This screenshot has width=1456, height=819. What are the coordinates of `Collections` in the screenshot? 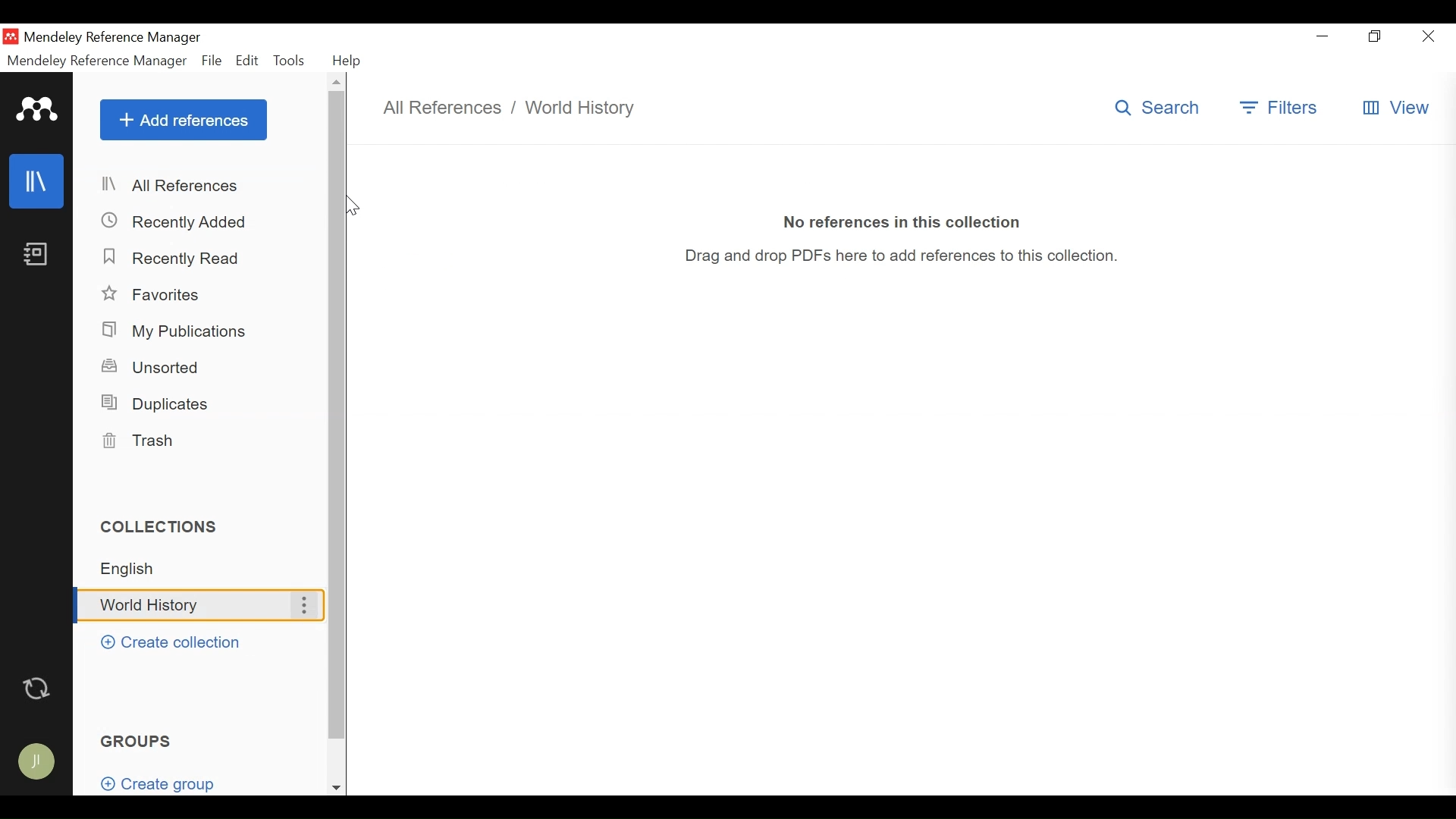 It's located at (166, 526).